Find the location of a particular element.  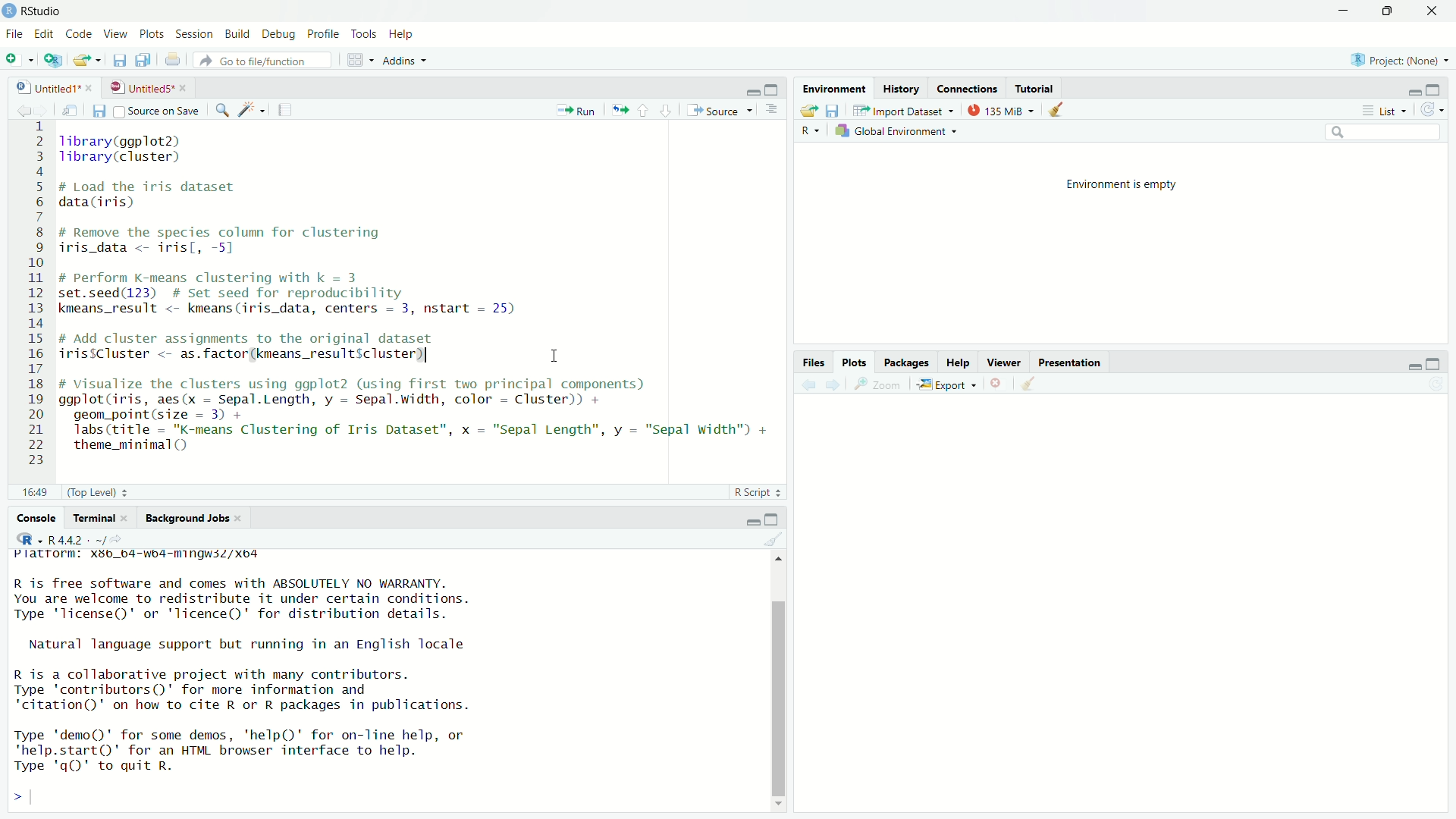

debug is located at coordinates (280, 35).